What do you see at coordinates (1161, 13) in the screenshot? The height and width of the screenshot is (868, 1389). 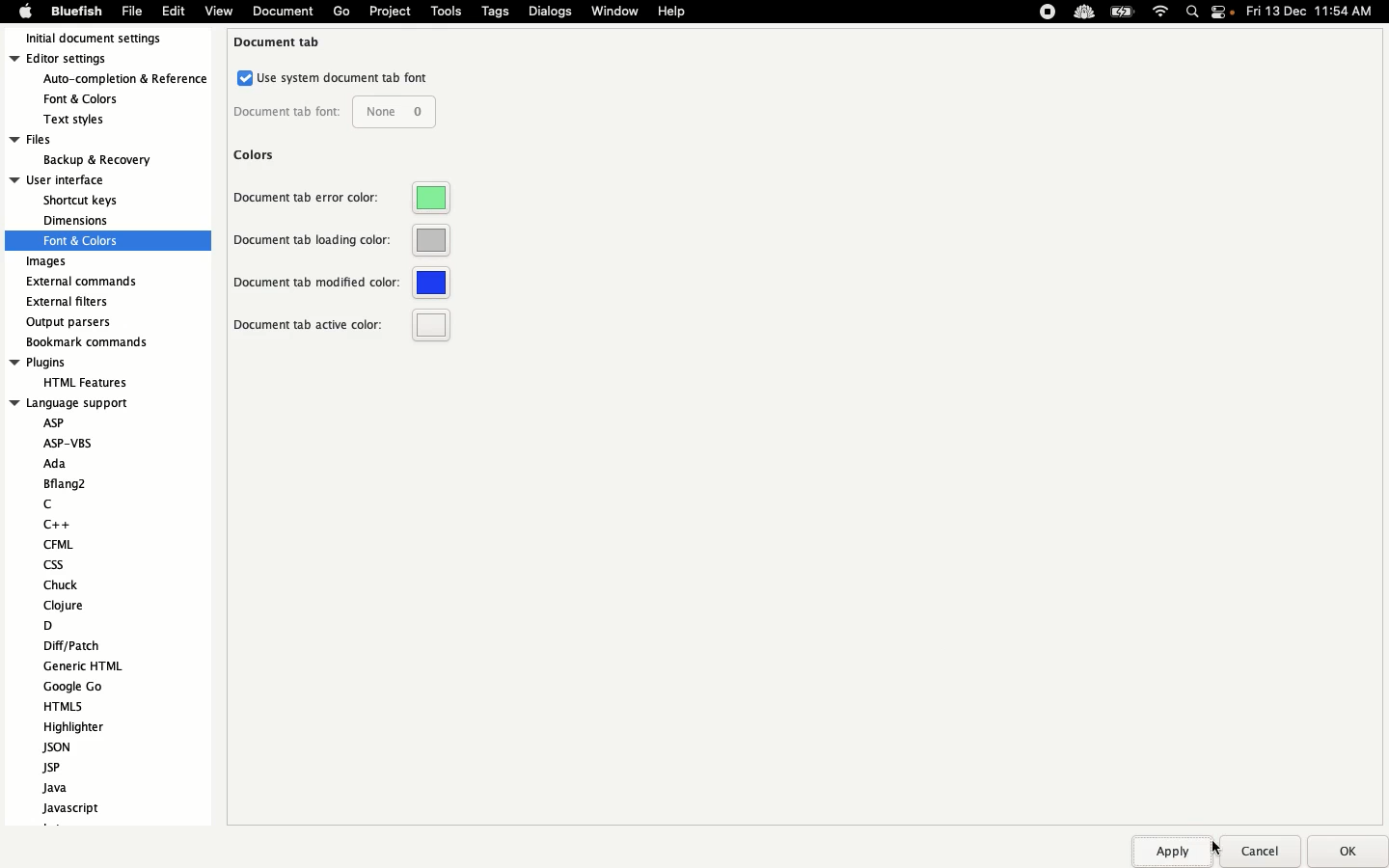 I see `Internet` at bounding box center [1161, 13].